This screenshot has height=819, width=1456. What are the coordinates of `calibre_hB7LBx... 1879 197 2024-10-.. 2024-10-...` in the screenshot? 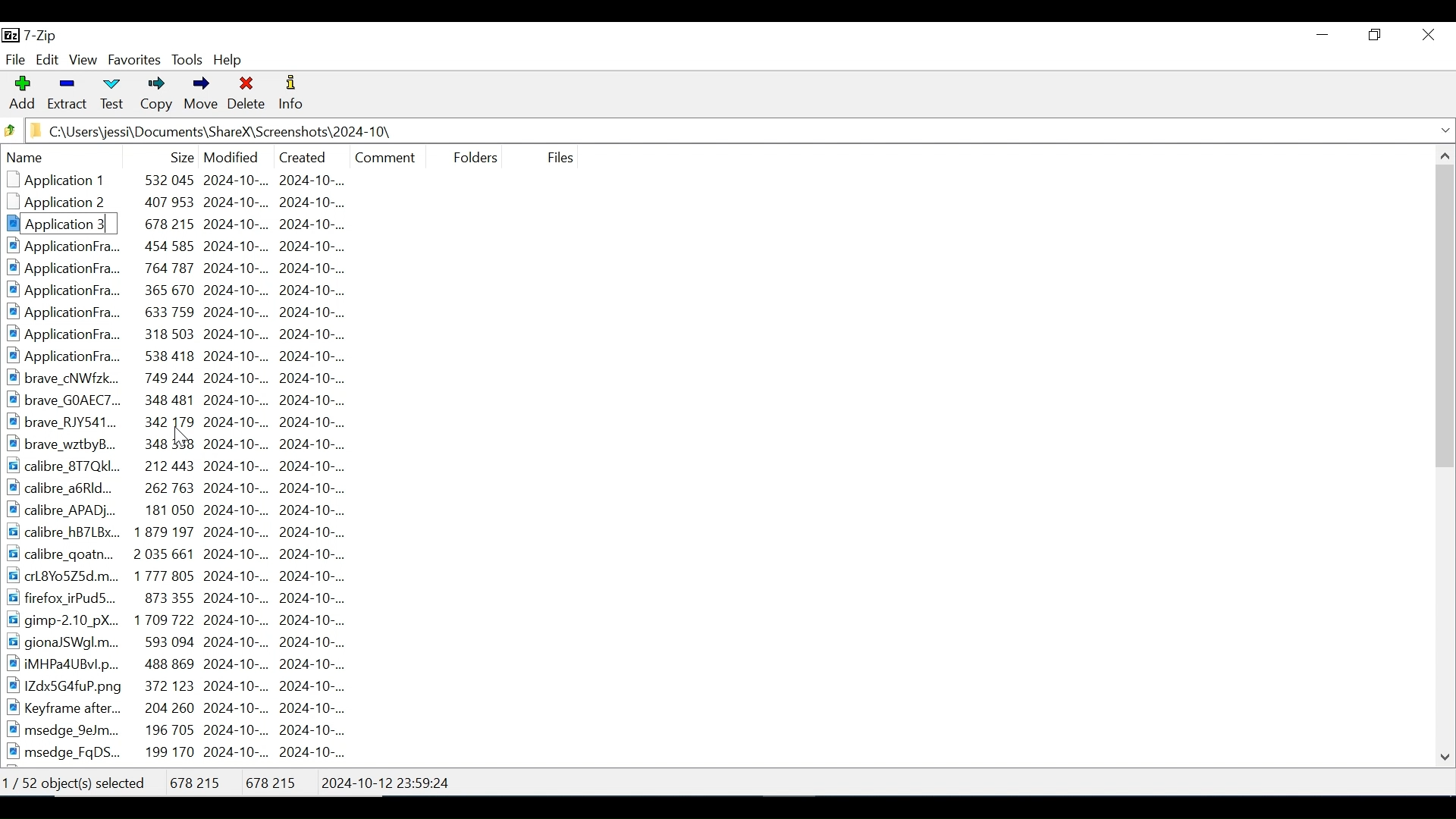 It's located at (187, 532).